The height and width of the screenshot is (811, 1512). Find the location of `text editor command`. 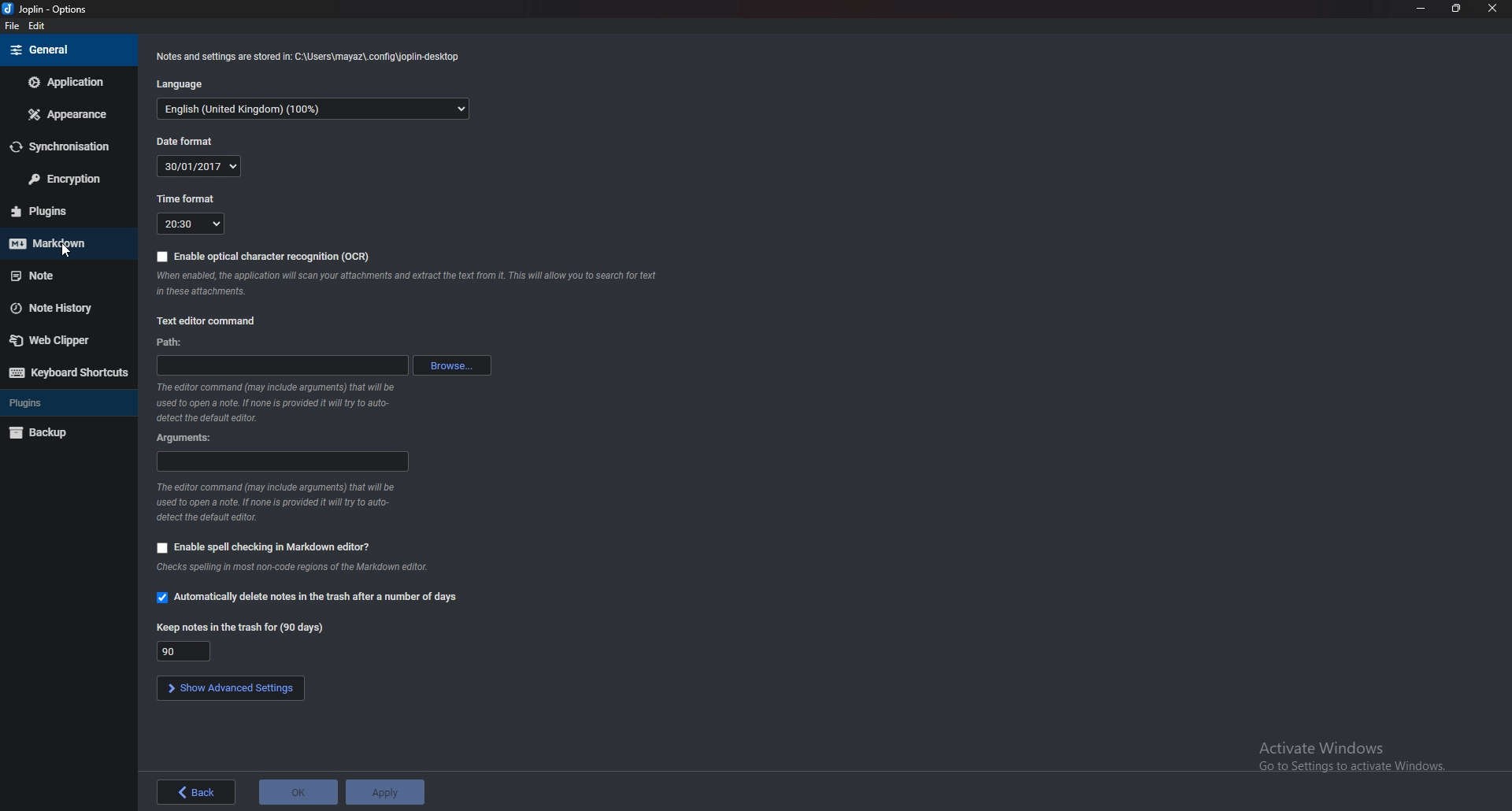

text editor command is located at coordinates (211, 321).